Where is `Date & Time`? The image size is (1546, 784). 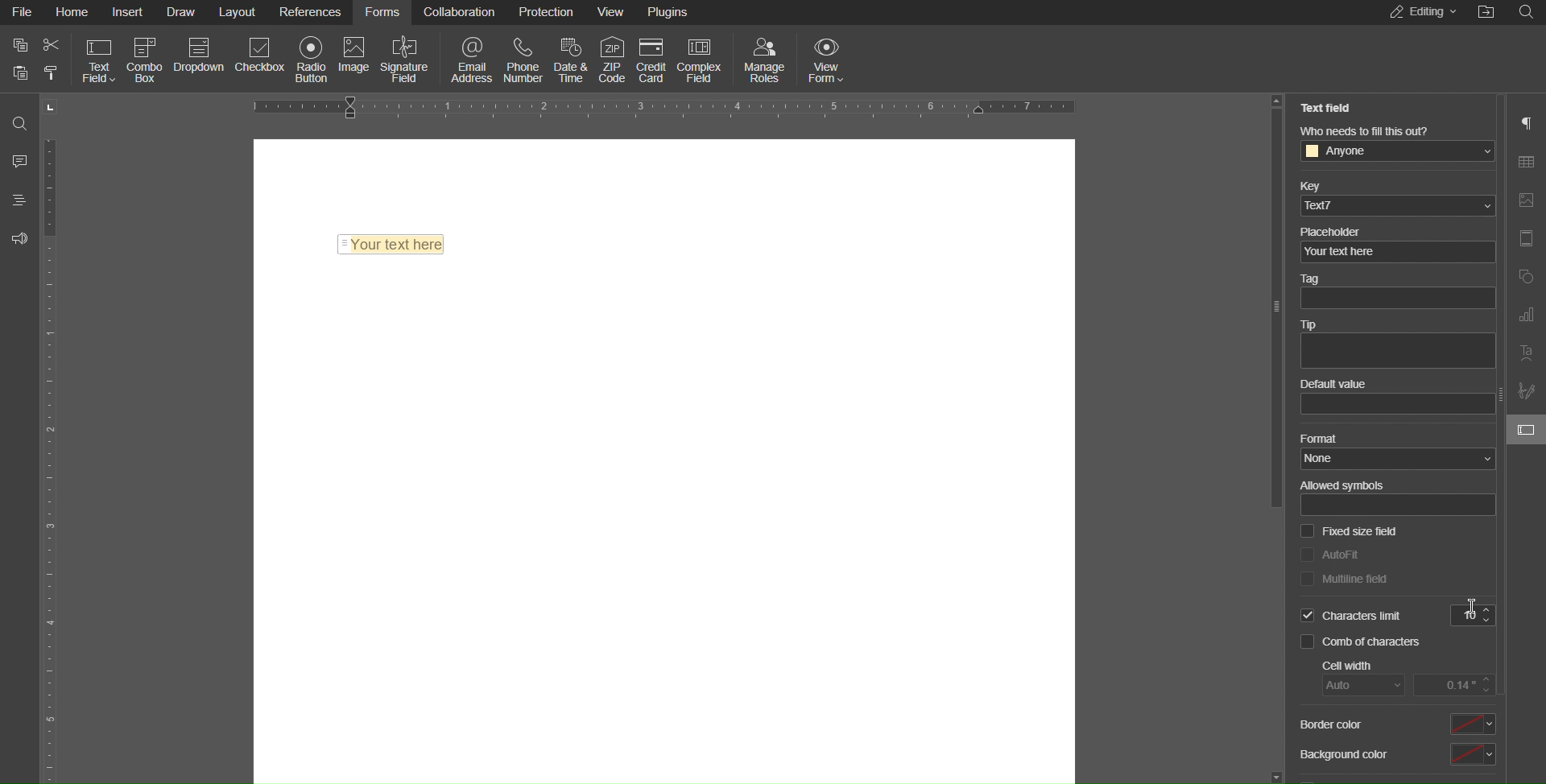
Date & Time is located at coordinates (575, 57).